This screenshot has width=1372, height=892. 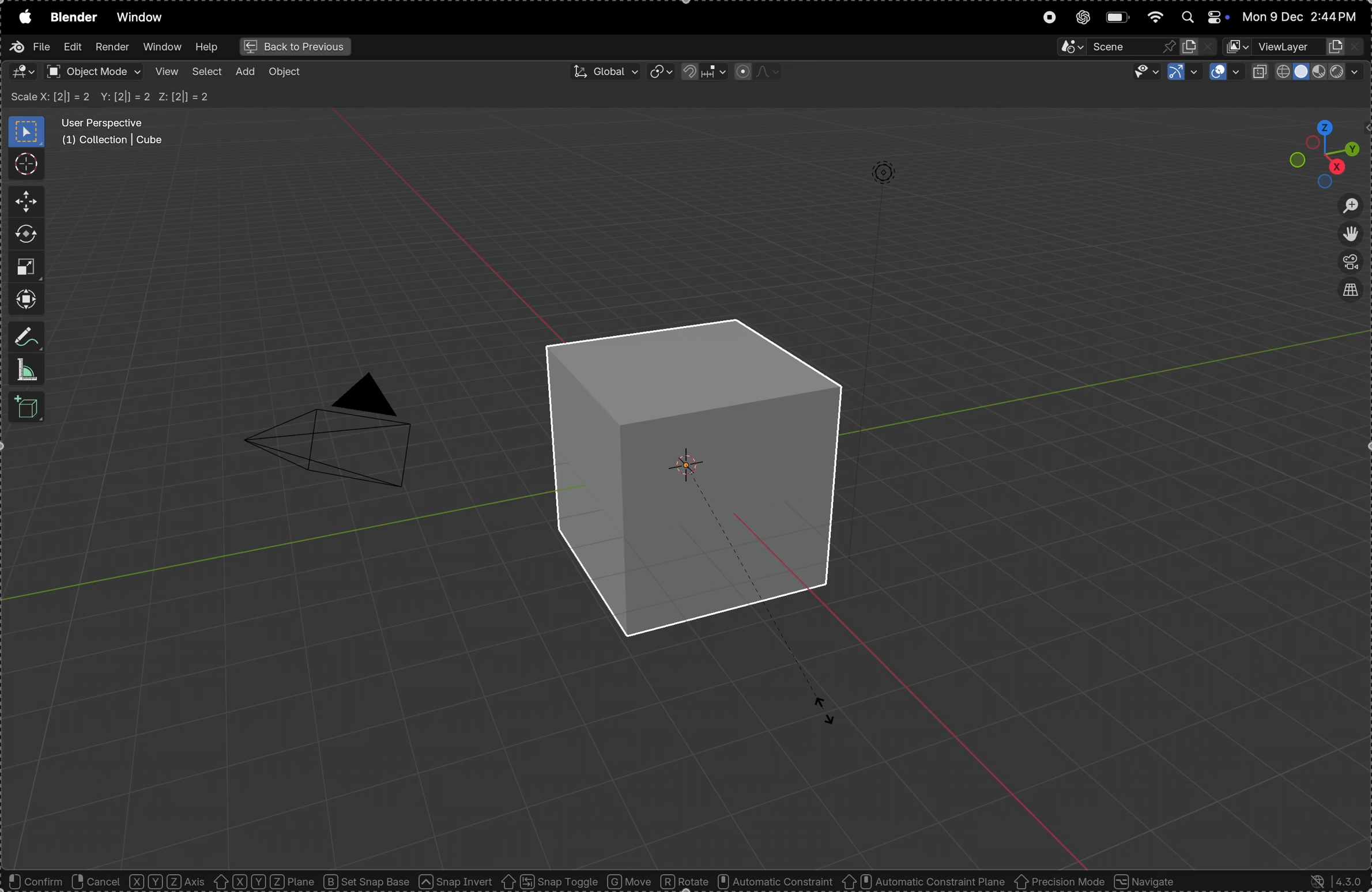 What do you see at coordinates (1307, 71) in the screenshot?
I see `view port shading` at bounding box center [1307, 71].